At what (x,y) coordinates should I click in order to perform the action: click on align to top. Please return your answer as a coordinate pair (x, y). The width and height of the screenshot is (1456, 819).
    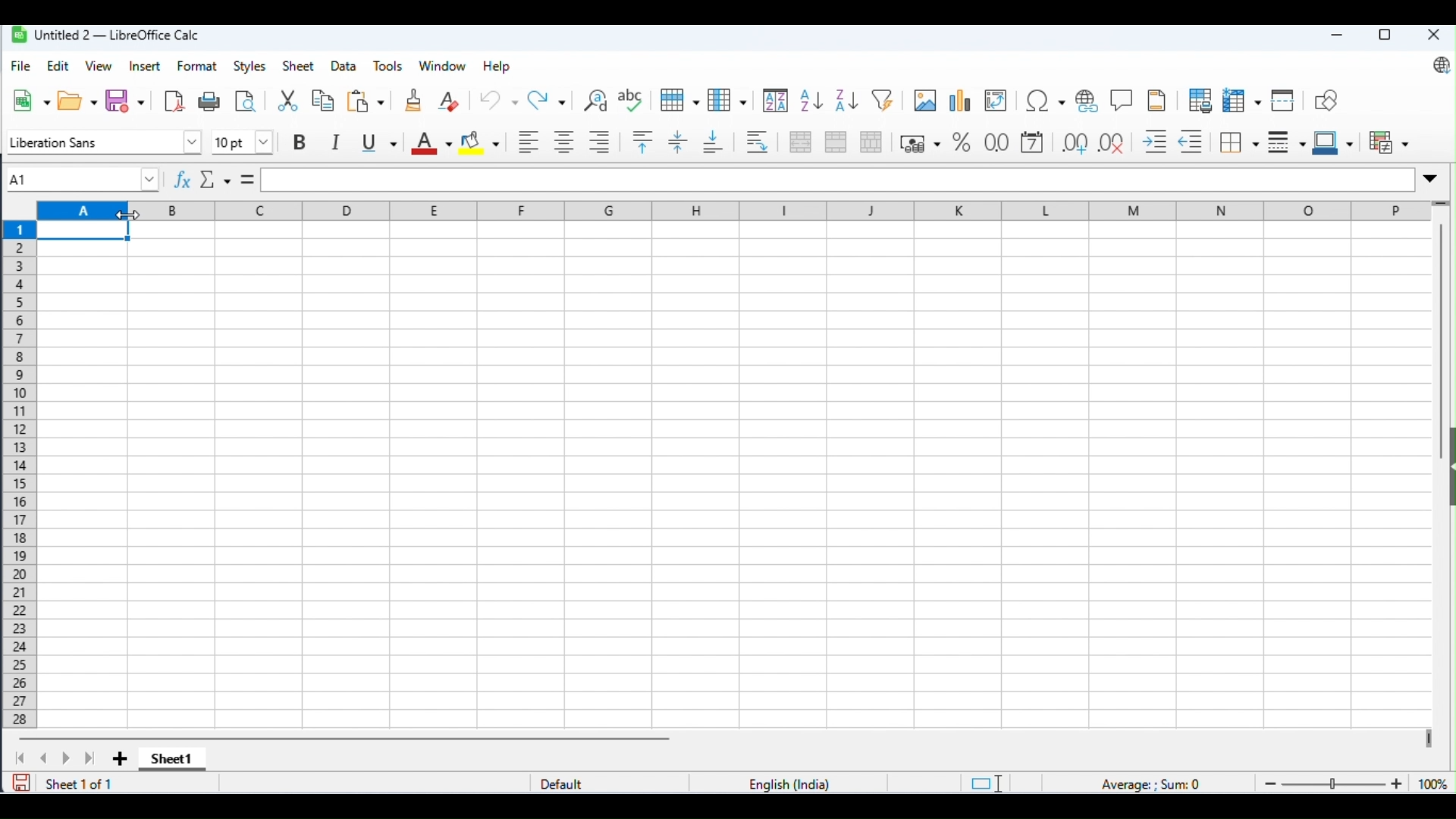
    Looking at the image, I should click on (643, 142).